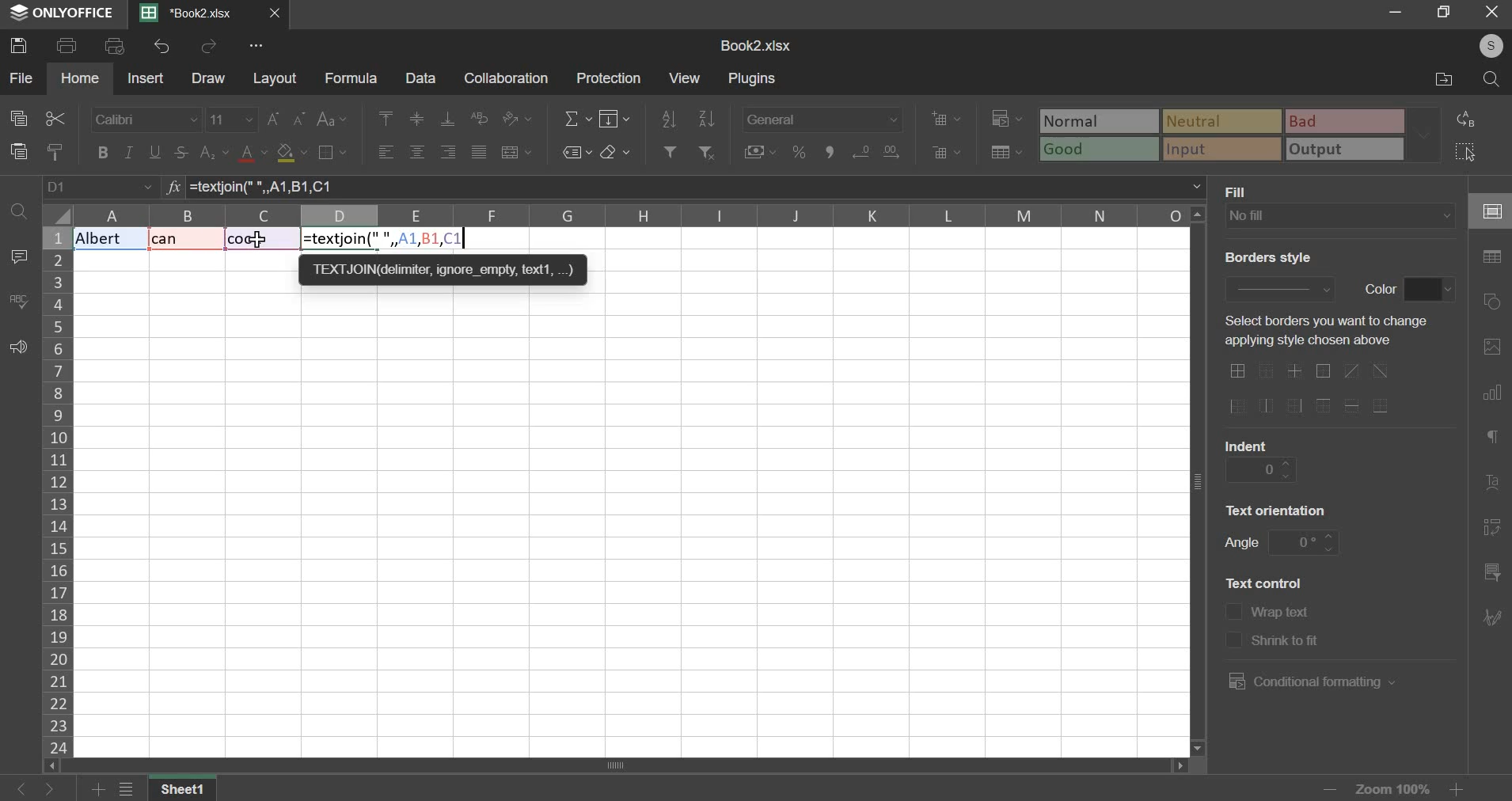 This screenshot has height=801, width=1512. Describe the element at coordinates (417, 153) in the screenshot. I see `align center` at that location.